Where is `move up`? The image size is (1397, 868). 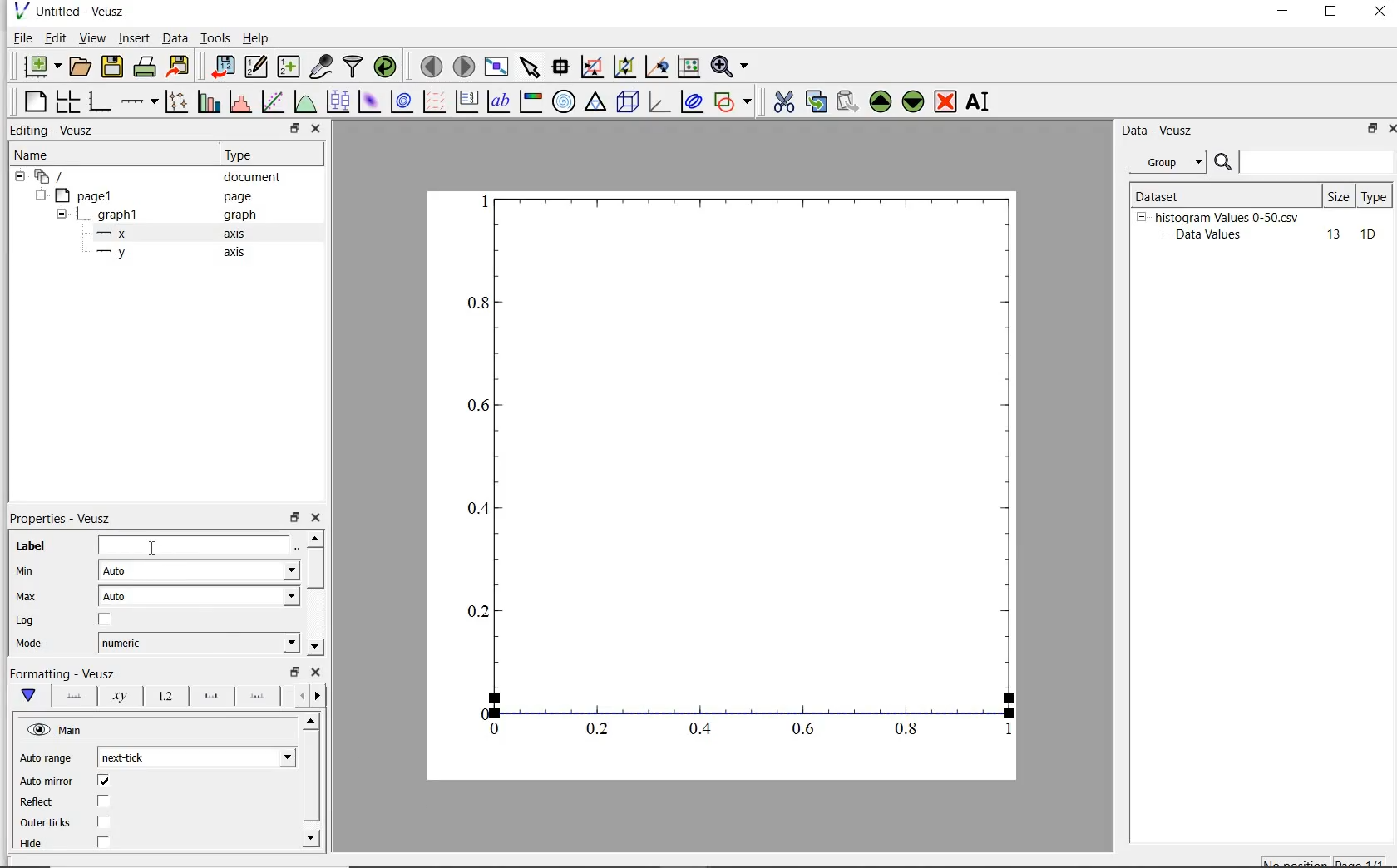 move up is located at coordinates (312, 720).